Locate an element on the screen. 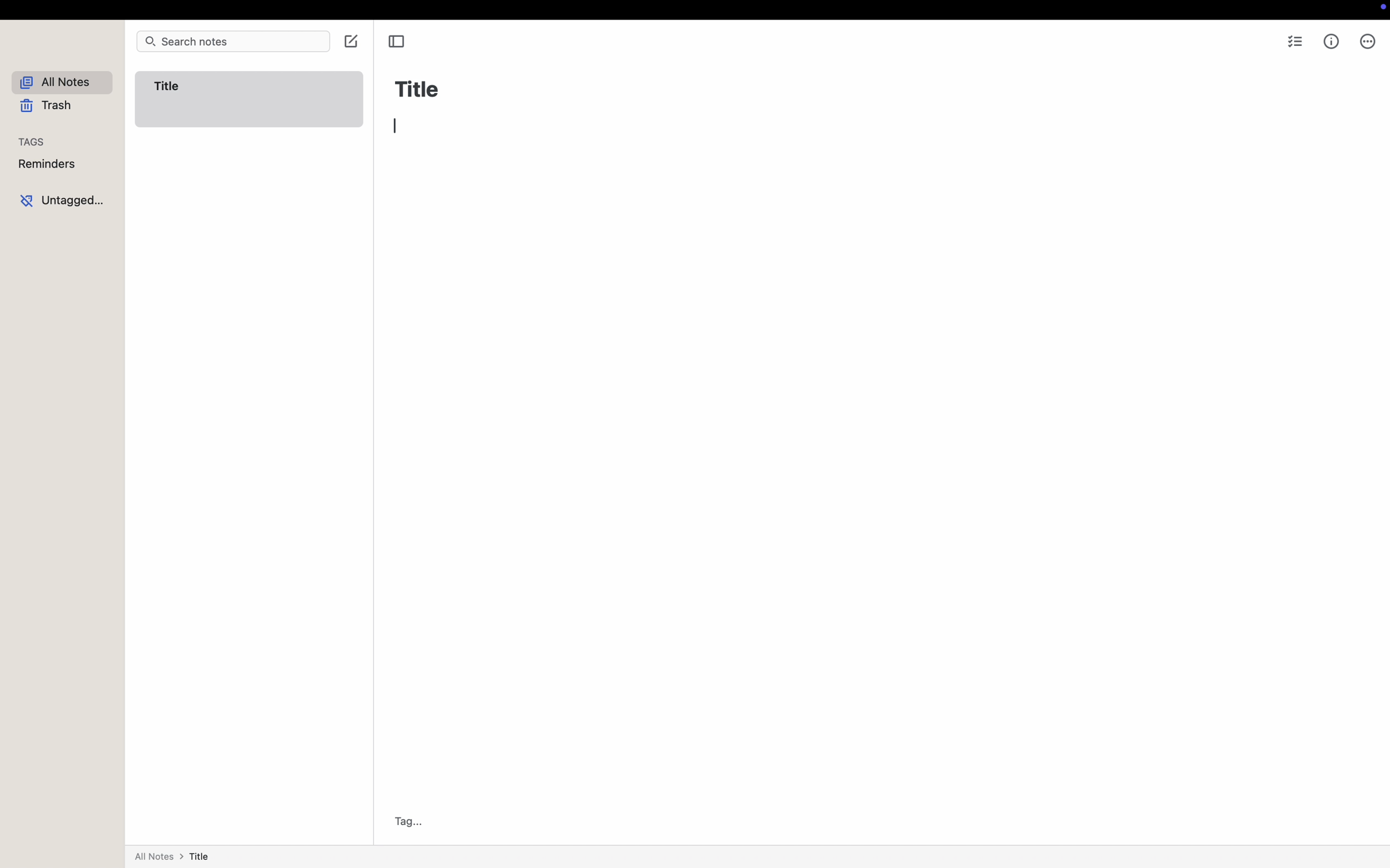  tags is located at coordinates (61, 142).